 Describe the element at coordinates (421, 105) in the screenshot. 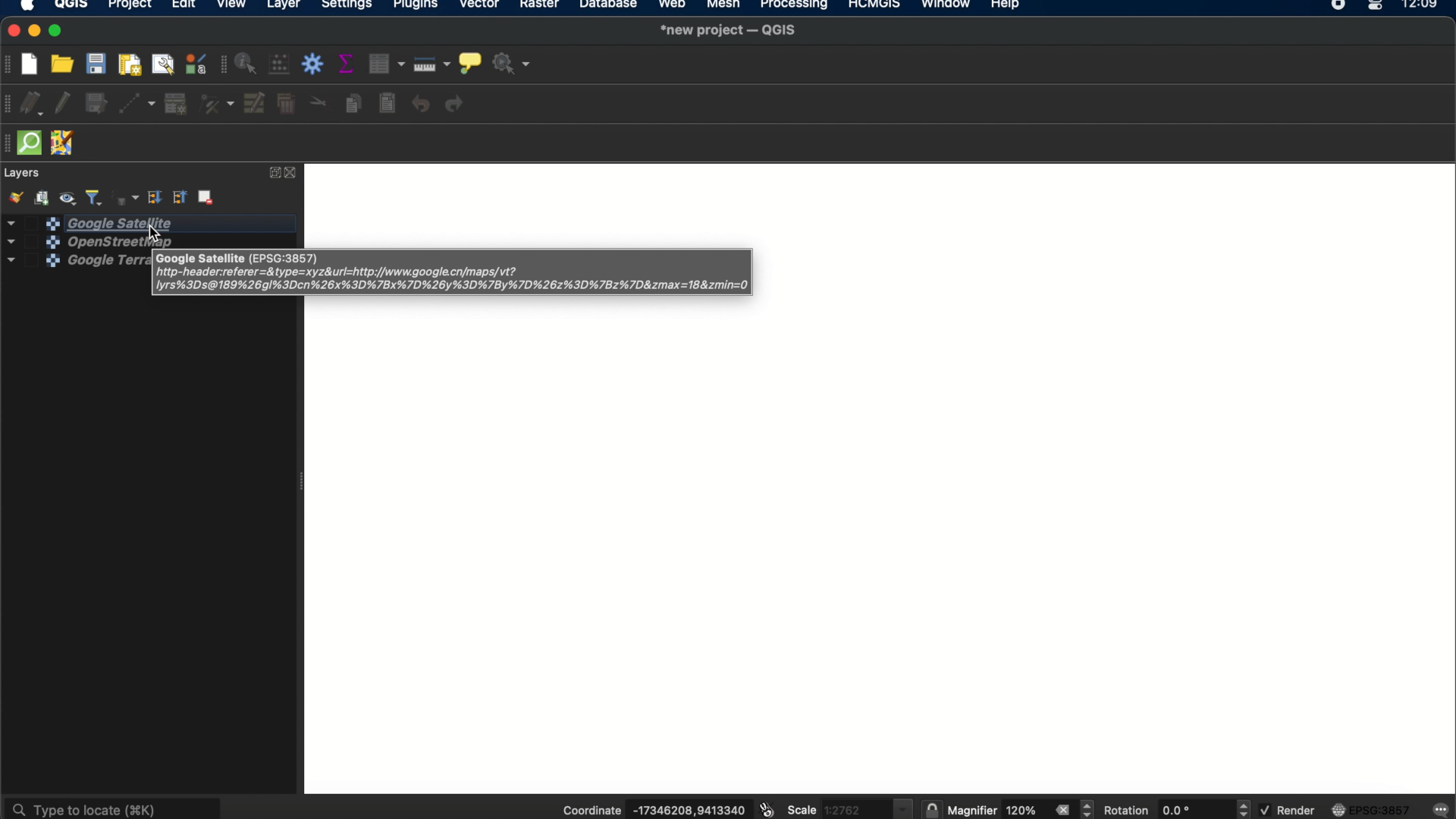

I see `undo` at that location.